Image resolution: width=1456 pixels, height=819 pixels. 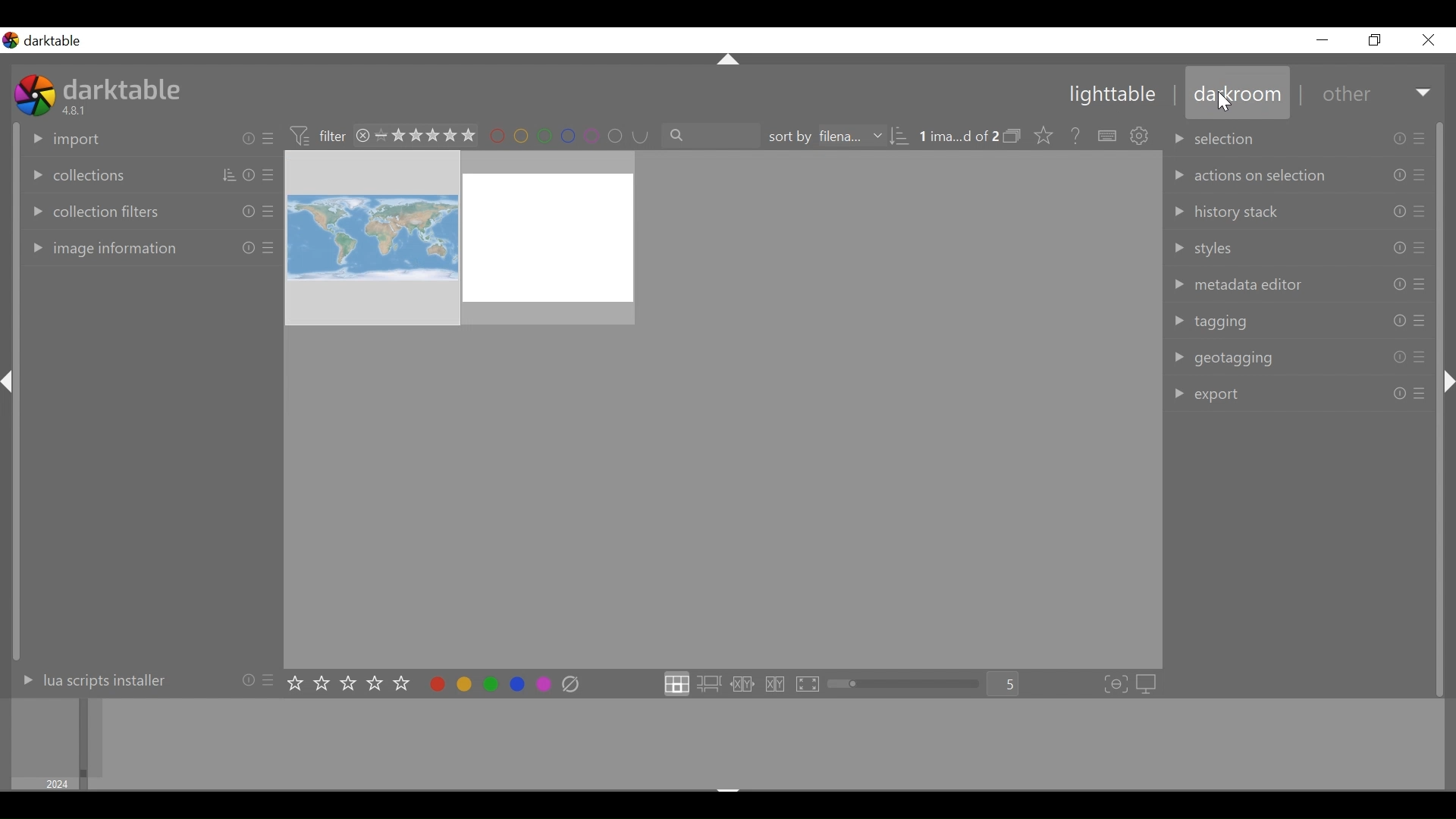 I want to click on set rating , so click(x=350, y=684).